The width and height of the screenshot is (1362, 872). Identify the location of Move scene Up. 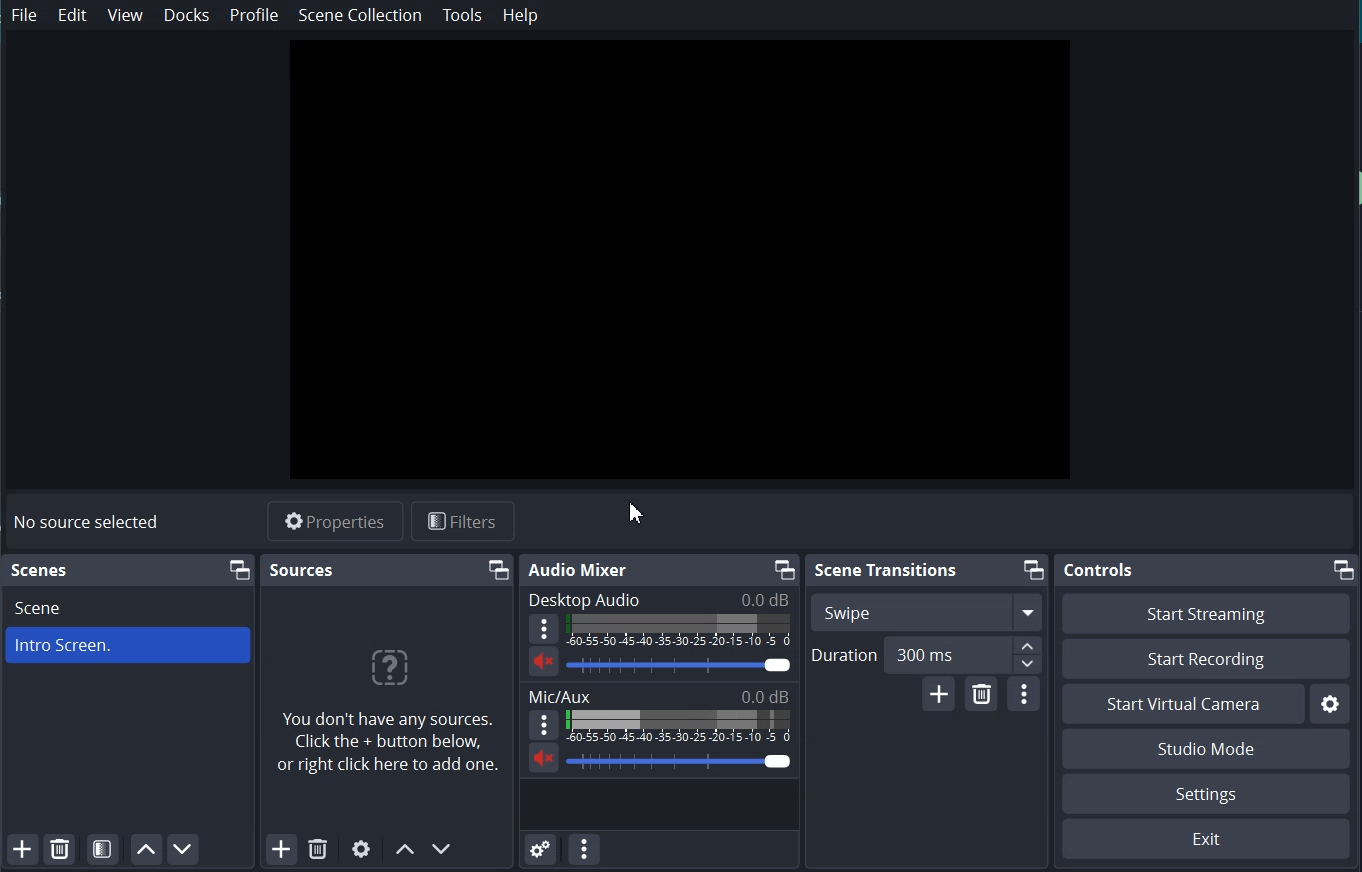
(403, 851).